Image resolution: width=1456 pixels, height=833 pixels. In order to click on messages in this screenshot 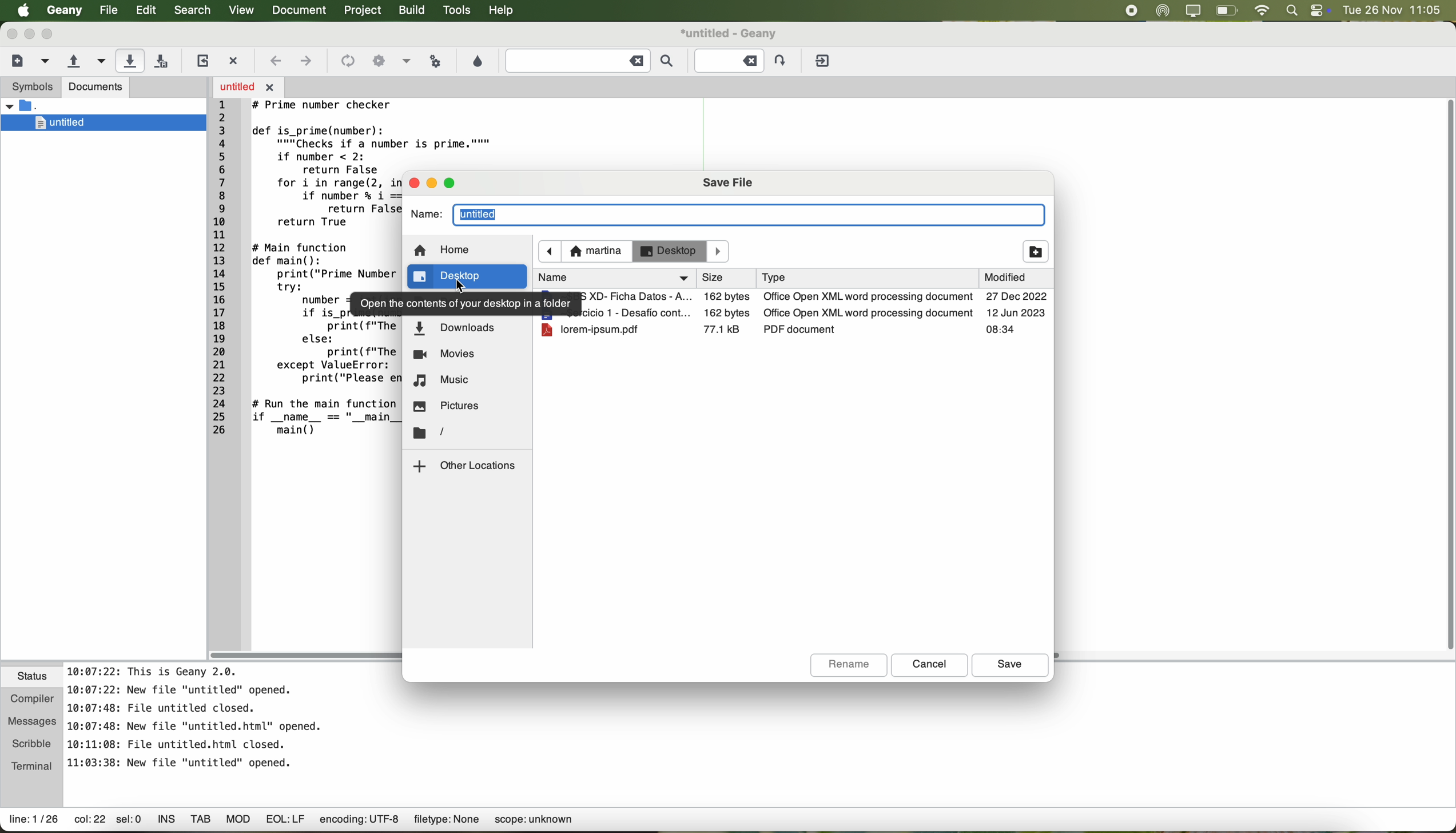, I will do `click(33, 718)`.